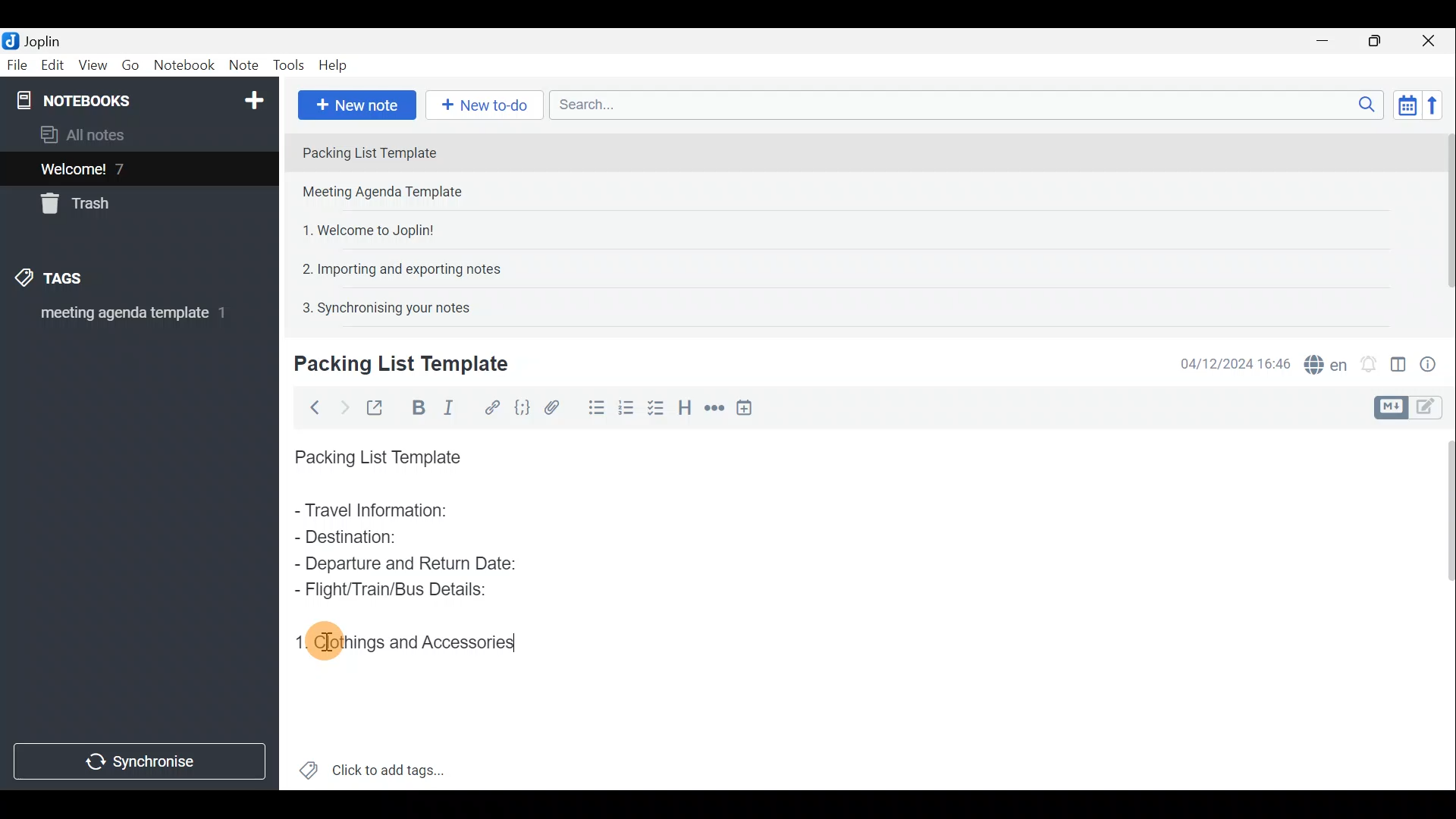  What do you see at coordinates (88, 134) in the screenshot?
I see `All notes` at bounding box center [88, 134].